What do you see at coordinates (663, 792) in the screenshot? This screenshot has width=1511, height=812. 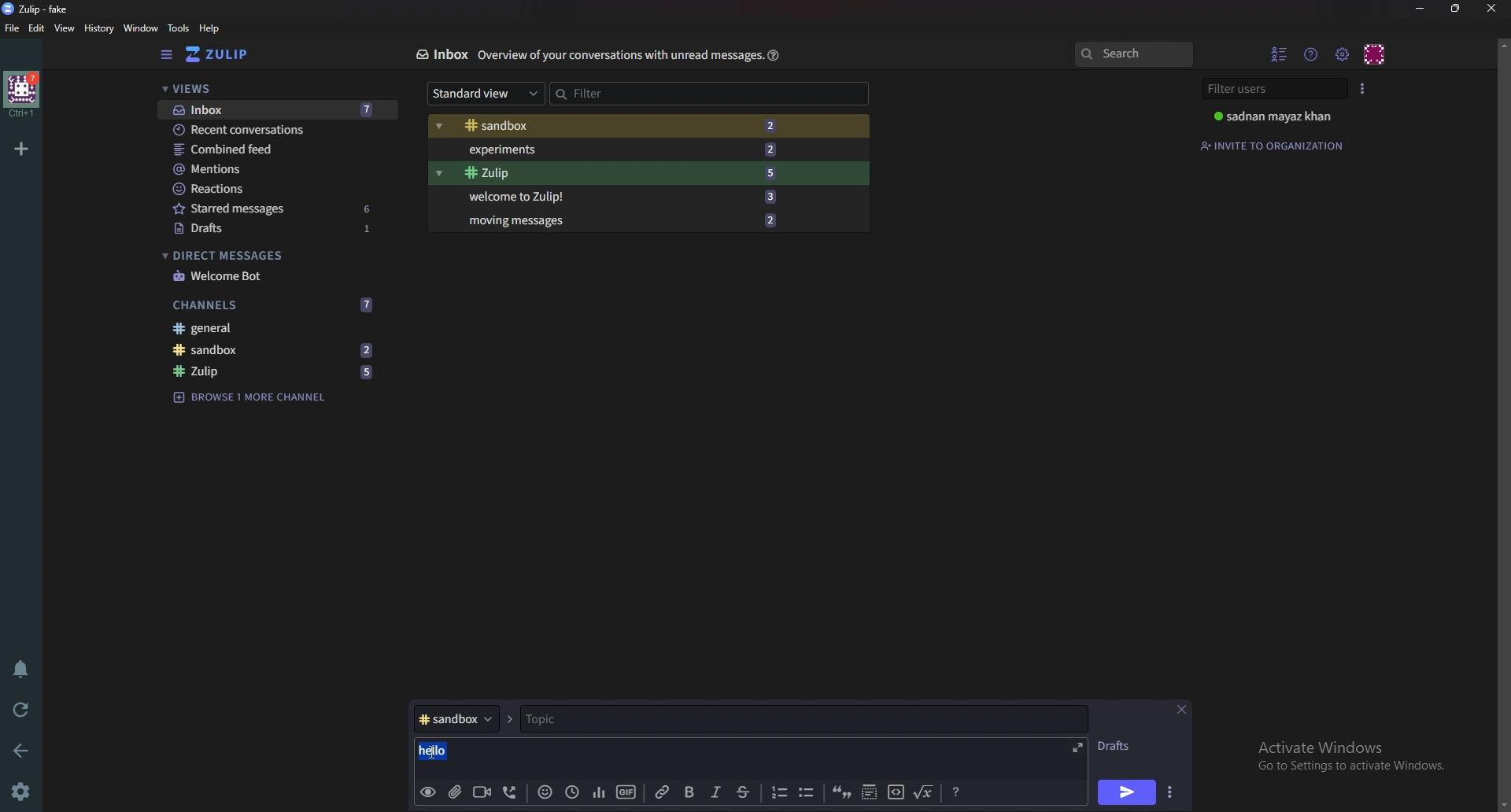 I see `link` at bounding box center [663, 792].